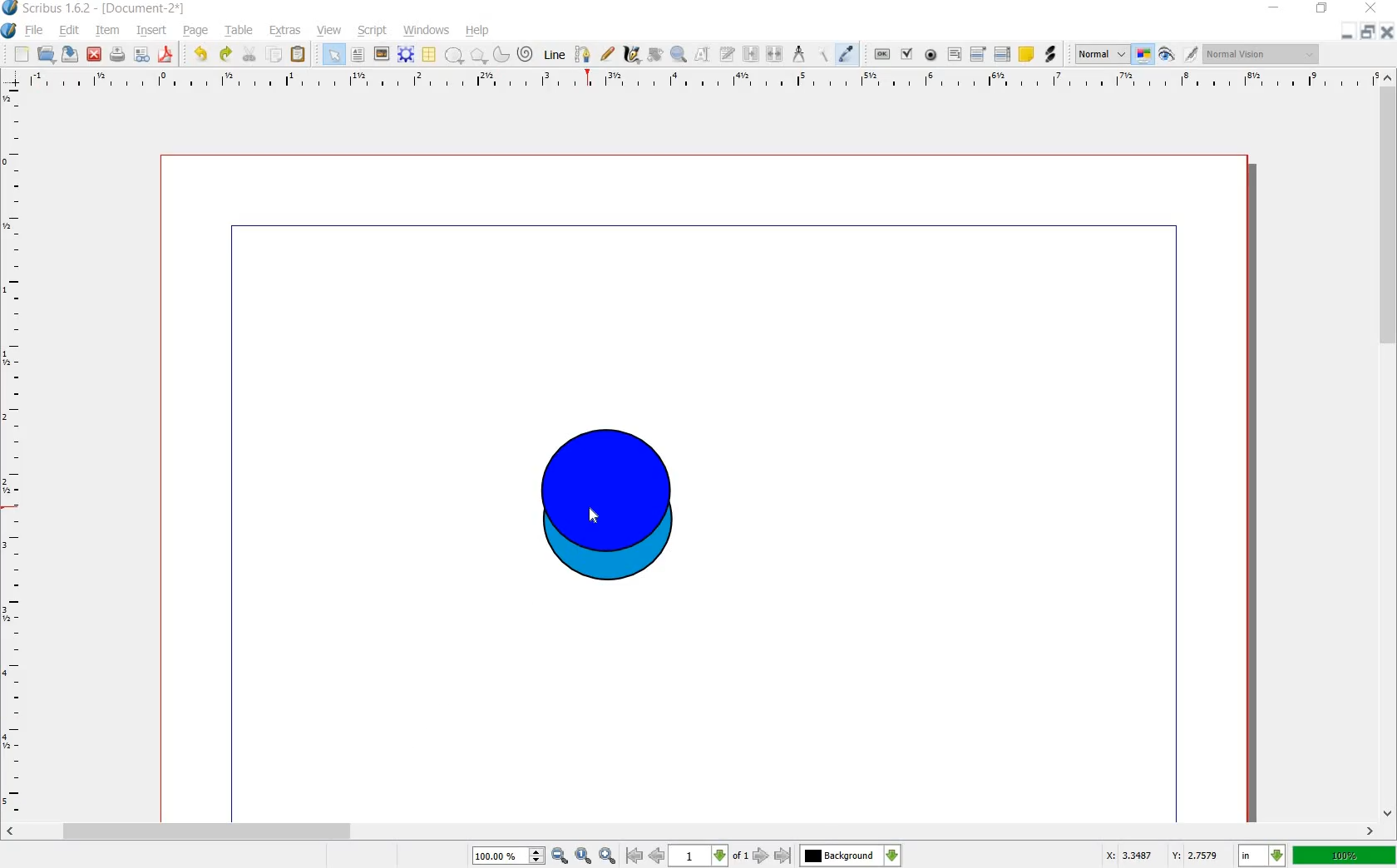 Image resolution: width=1397 pixels, height=868 pixels. I want to click on print, so click(118, 55).